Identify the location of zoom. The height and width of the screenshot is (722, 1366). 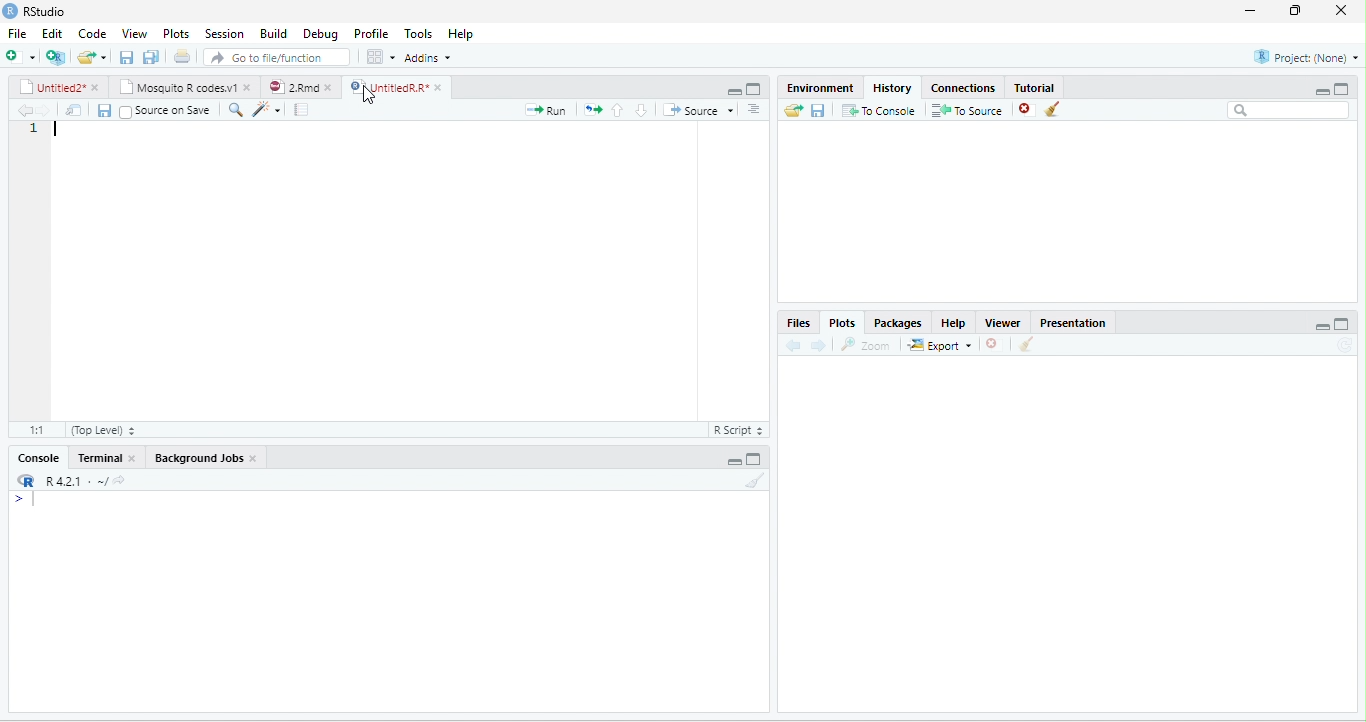
(869, 345).